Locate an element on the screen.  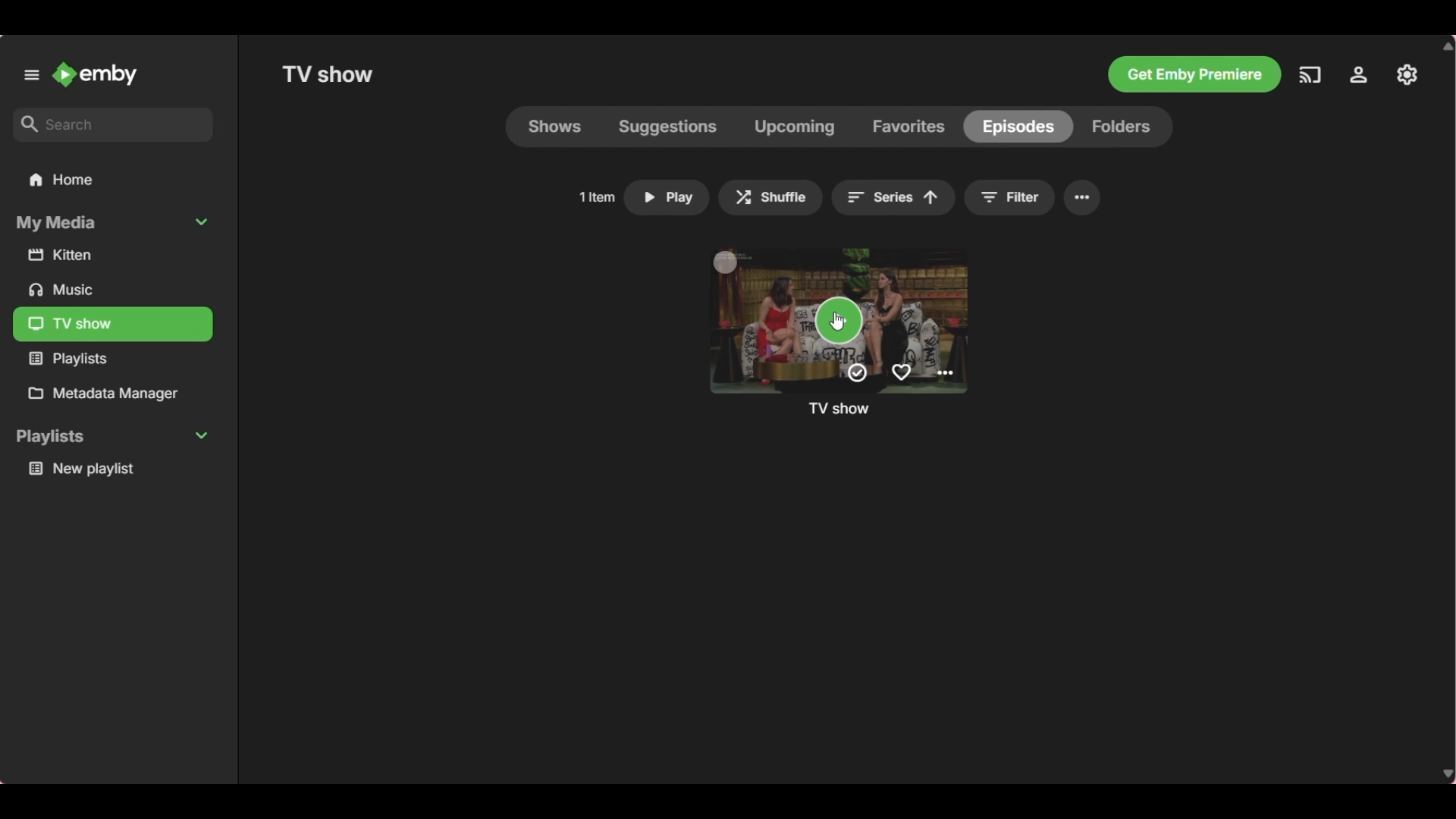
Series sorting is located at coordinates (894, 198).